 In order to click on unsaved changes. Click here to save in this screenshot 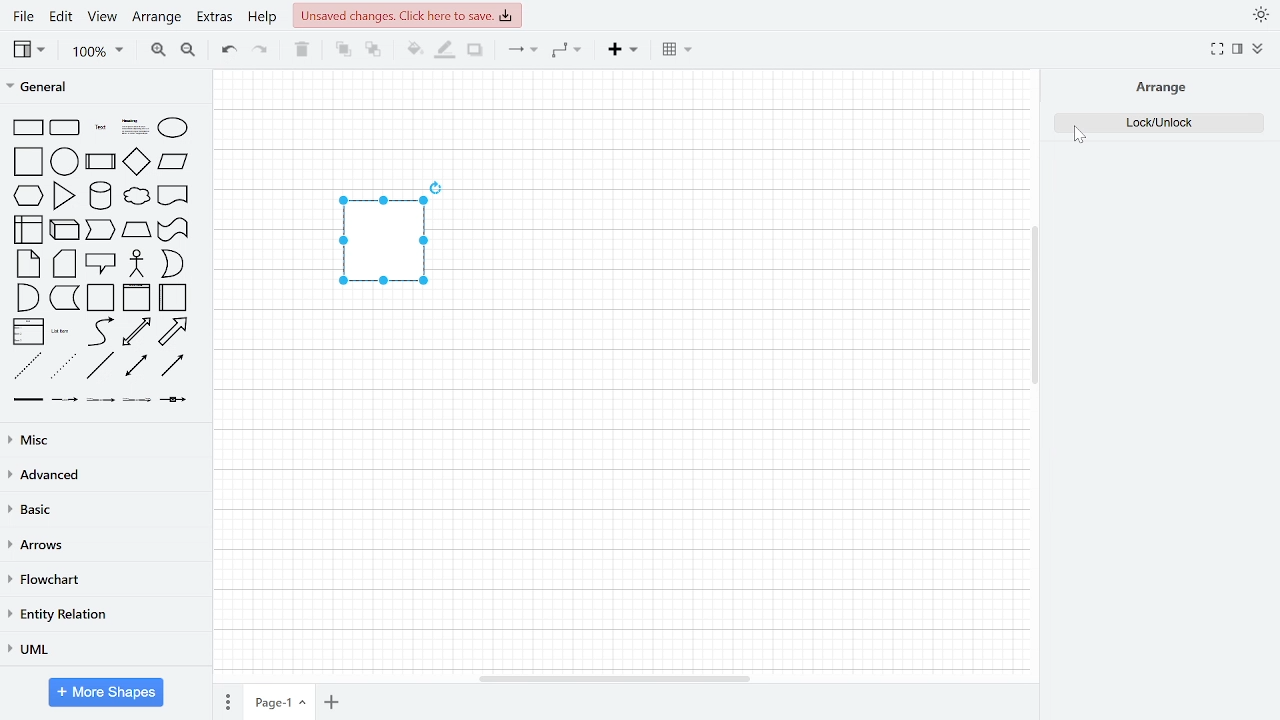, I will do `click(410, 15)`.